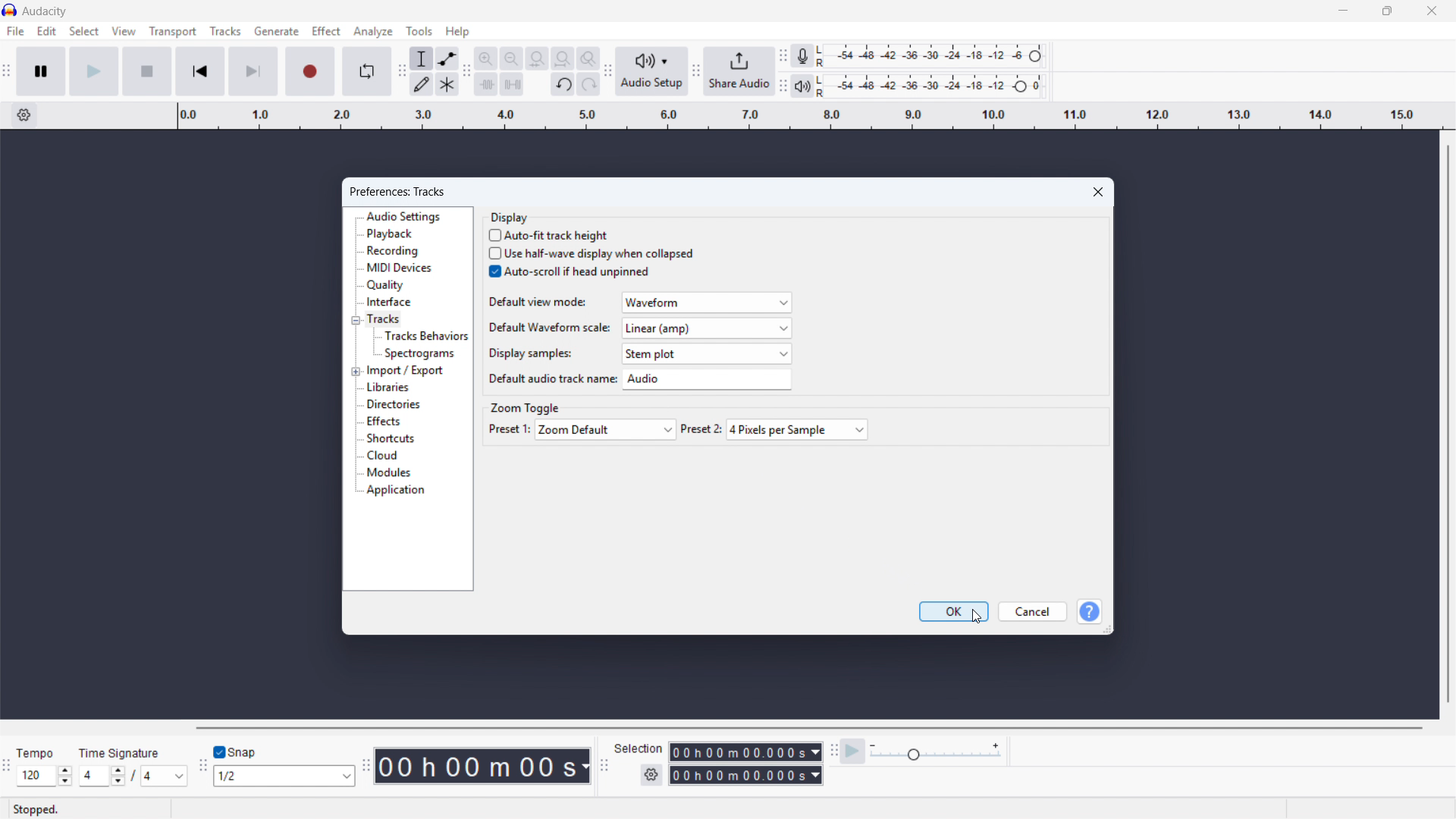 This screenshot has width=1456, height=819. What do you see at coordinates (511, 58) in the screenshot?
I see `zoom out` at bounding box center [511, 58].